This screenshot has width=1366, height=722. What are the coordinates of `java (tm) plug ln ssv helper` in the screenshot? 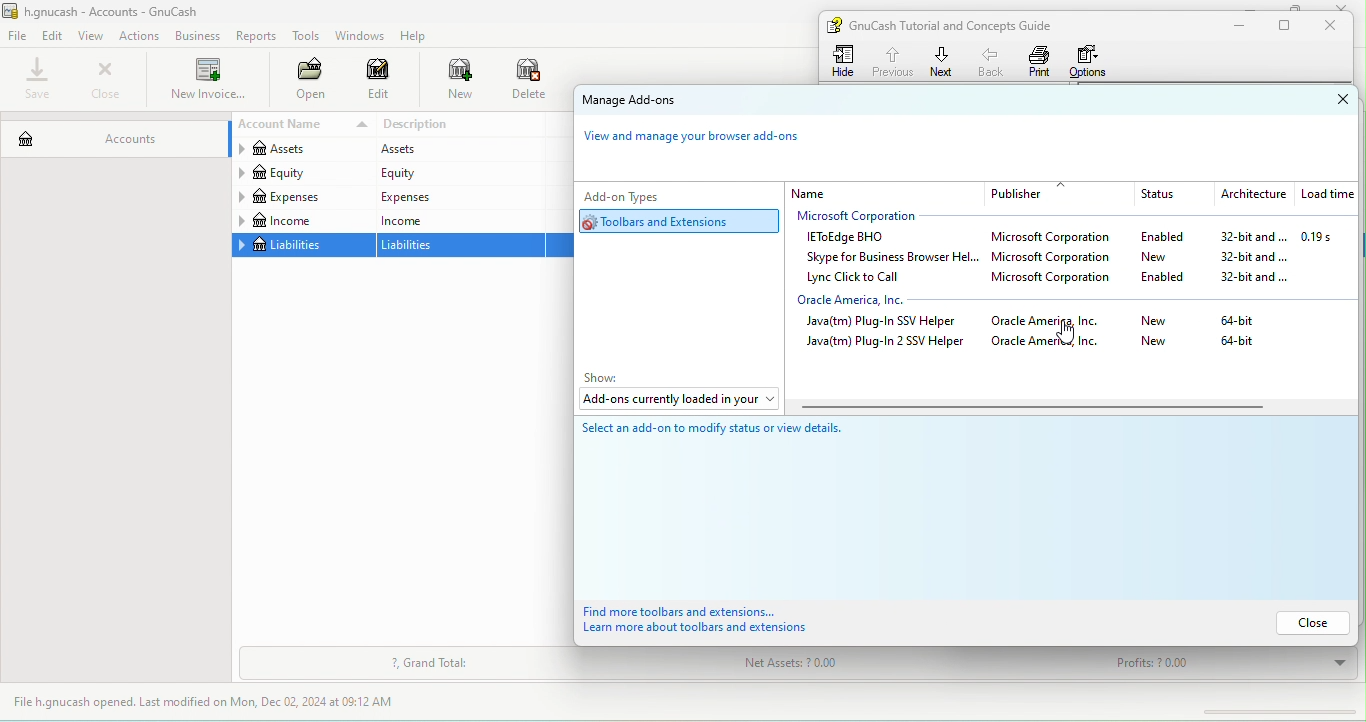 It's located at (887, 322).